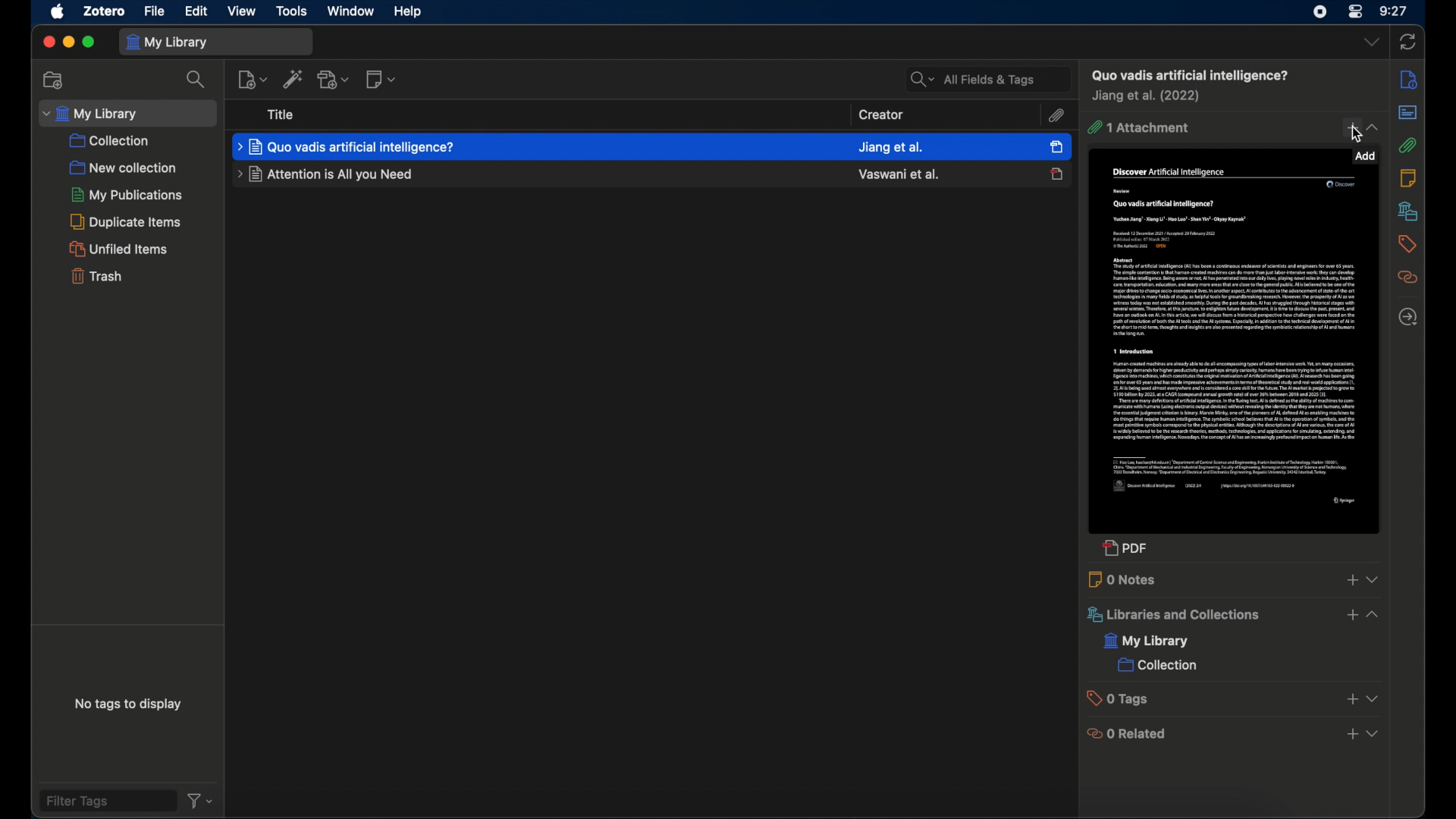 The image size is (1456, 819). What do you see at coordinates (129, 221) in the screenshot?
I see `duplicate items` at bounding box center [129, 221].